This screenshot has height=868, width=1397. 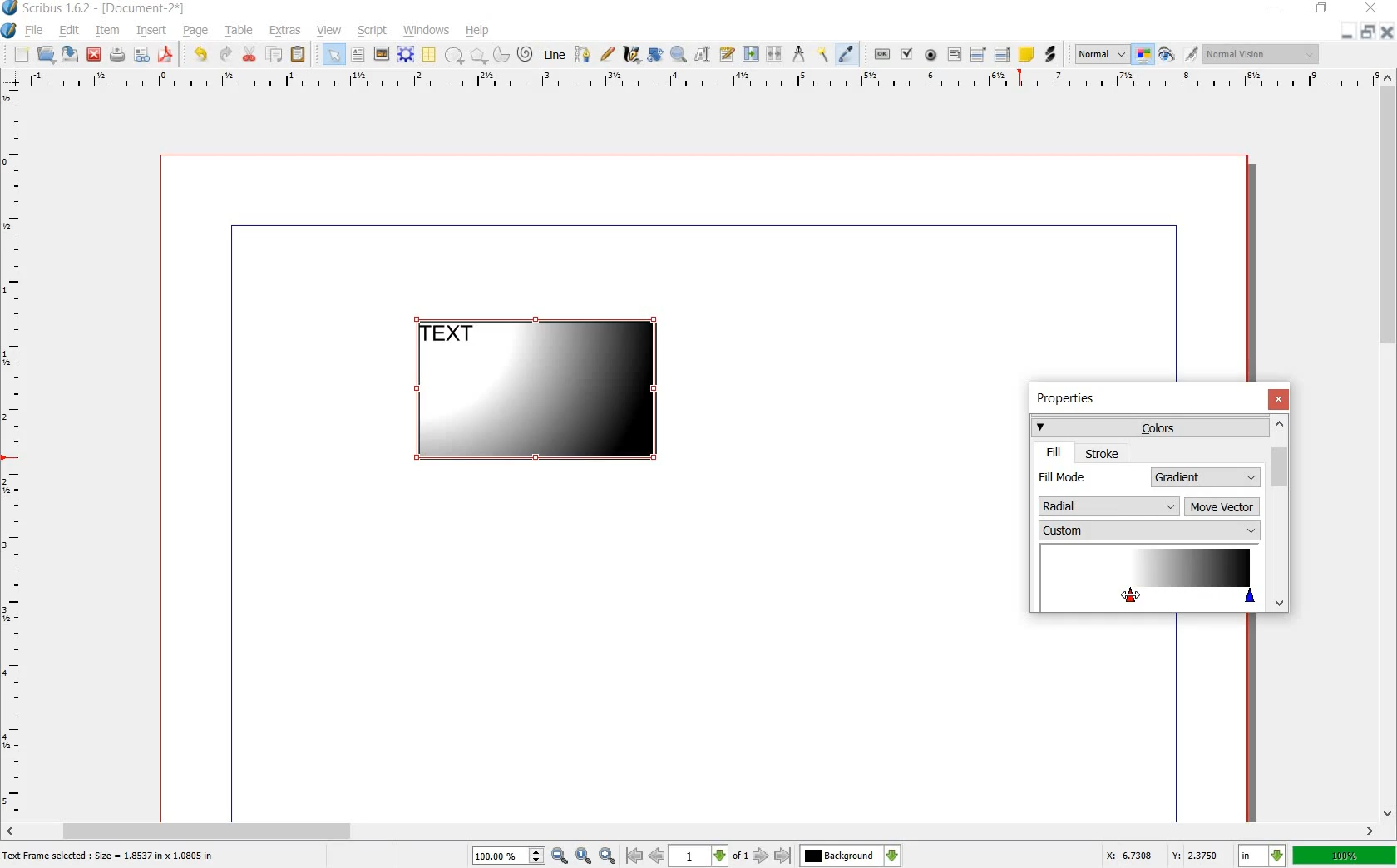 I want to click on preview mode, so click(x=1167, y=54).